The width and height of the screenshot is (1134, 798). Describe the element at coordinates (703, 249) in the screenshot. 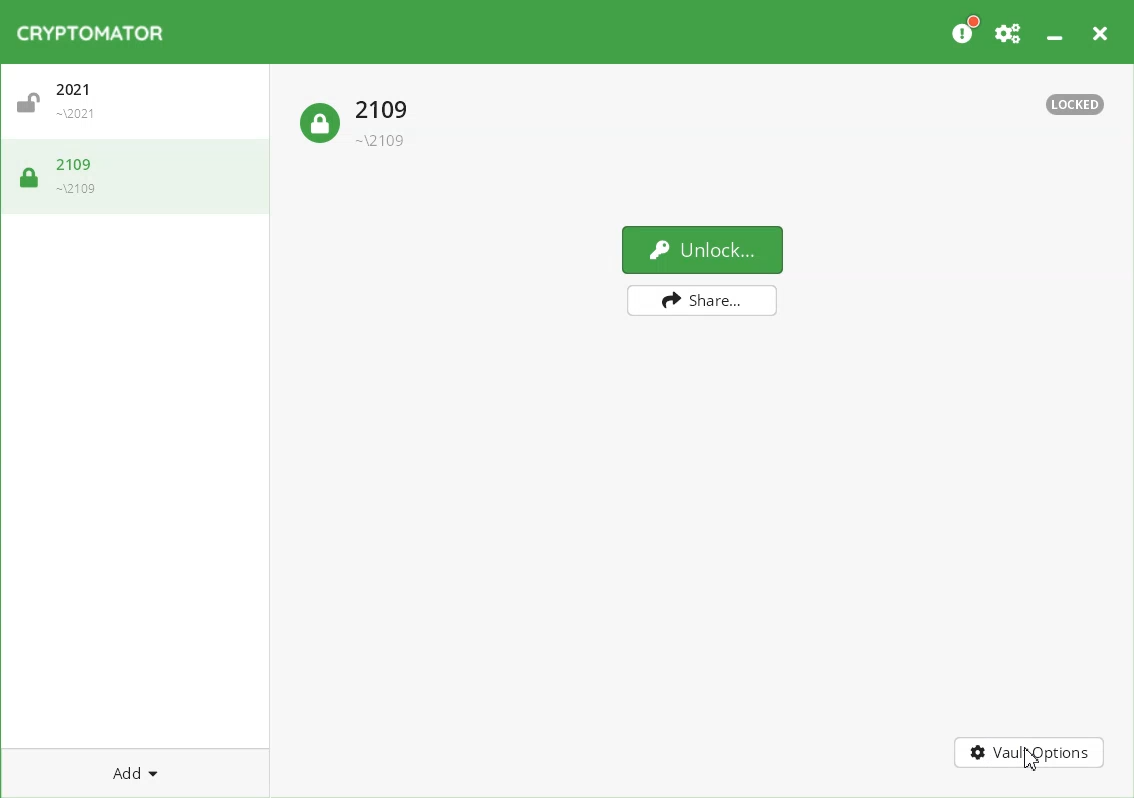

I see `Unlock` at that location.